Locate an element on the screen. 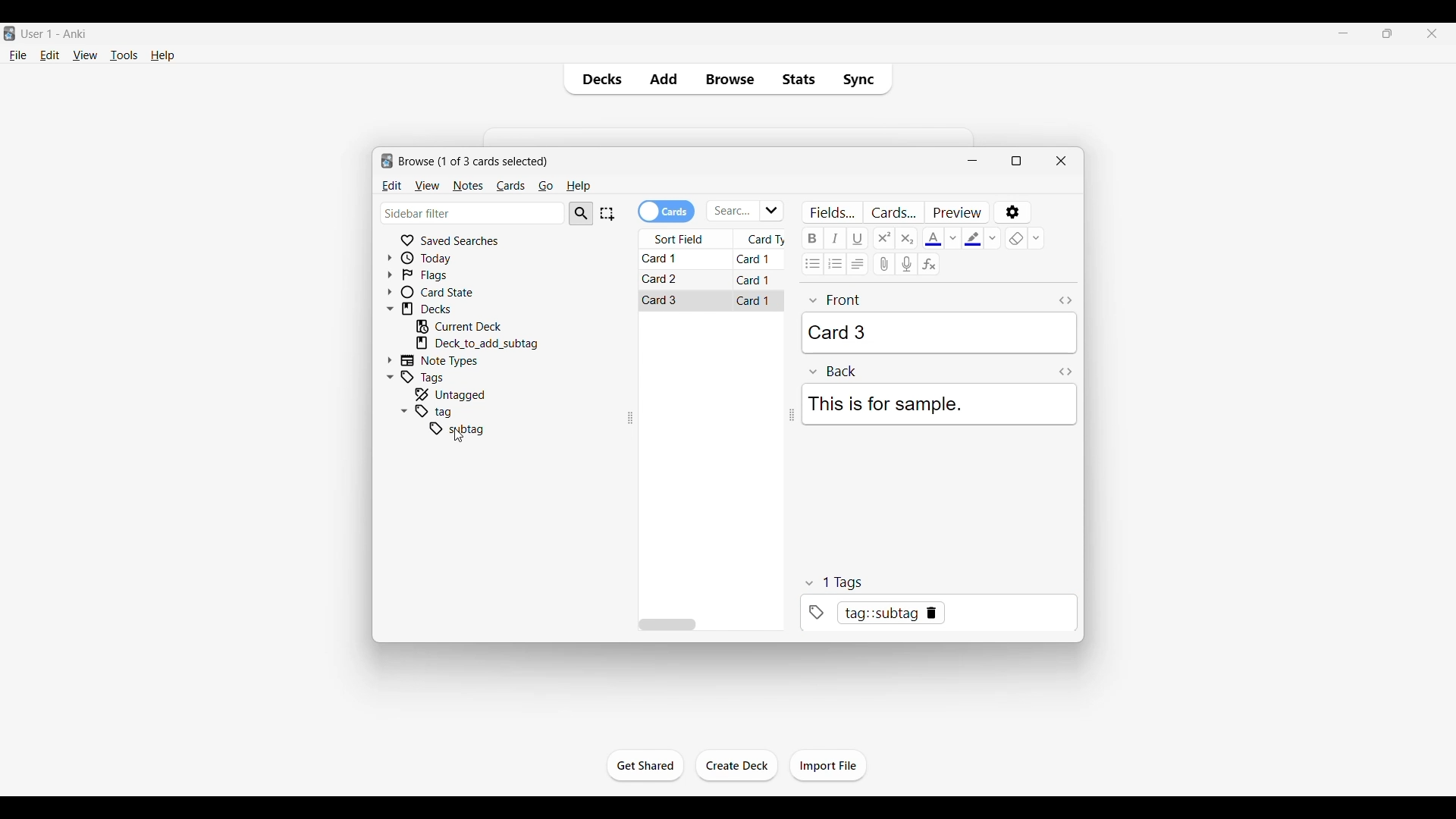 This screenshot has height=819, width=1456. Notes menu is located at coordinates (468, 187).